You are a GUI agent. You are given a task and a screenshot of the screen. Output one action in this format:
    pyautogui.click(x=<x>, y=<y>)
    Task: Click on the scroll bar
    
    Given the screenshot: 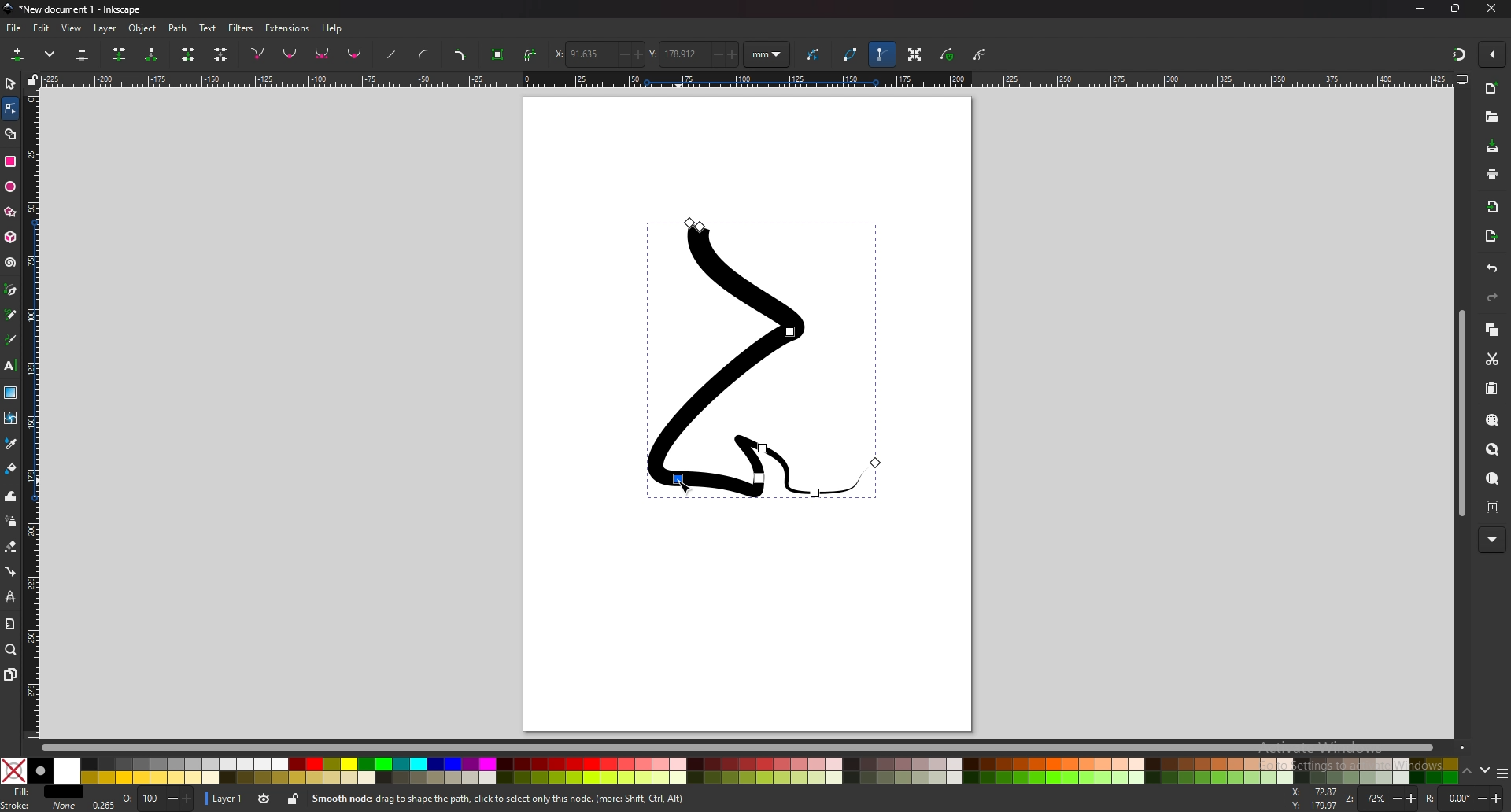 What is the action you would take?
    pyautogui.click(x=1459, y=415)
    